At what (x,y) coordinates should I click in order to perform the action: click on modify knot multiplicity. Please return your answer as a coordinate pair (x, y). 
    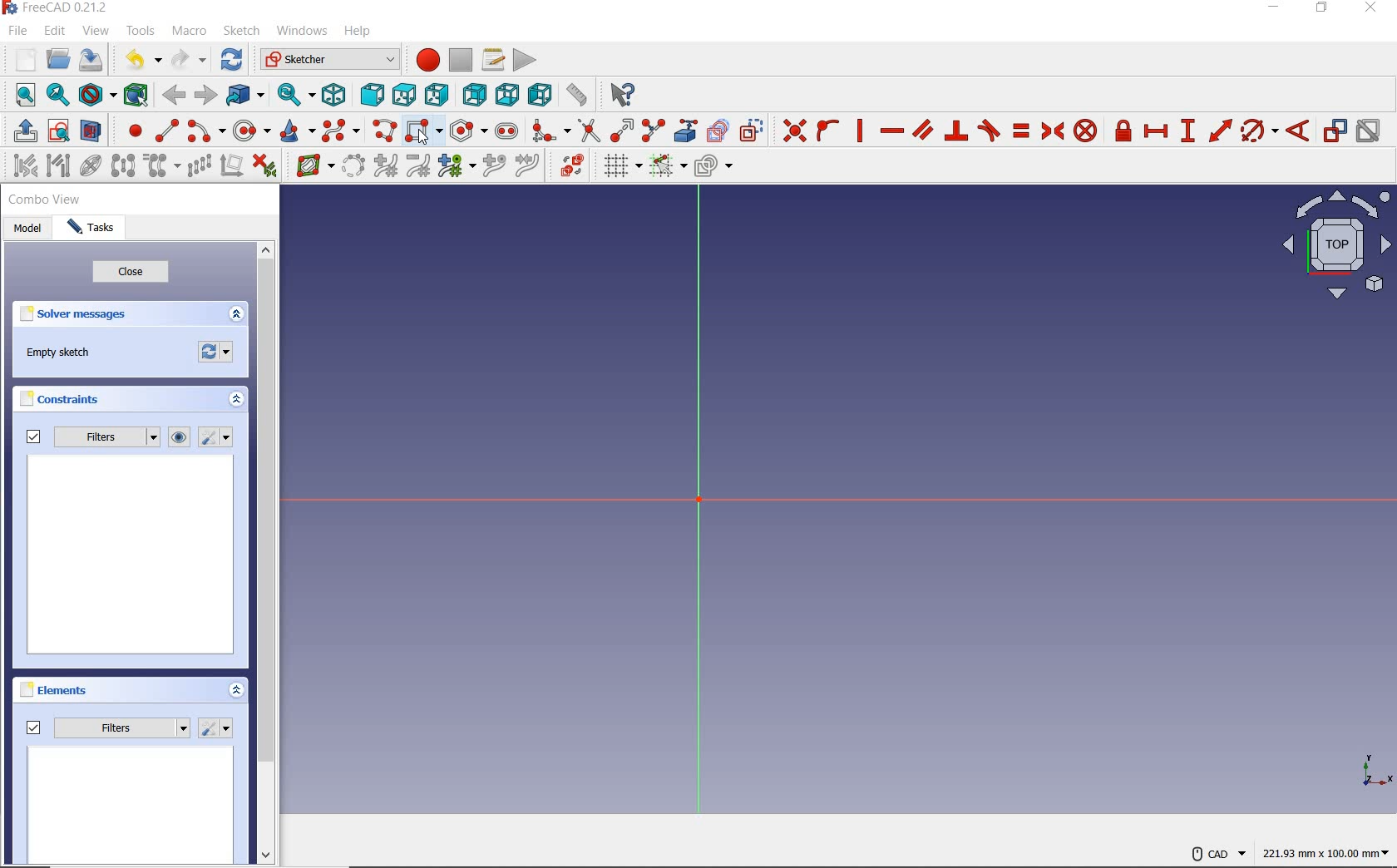
    Looking at the image, I should click on (456, 166).